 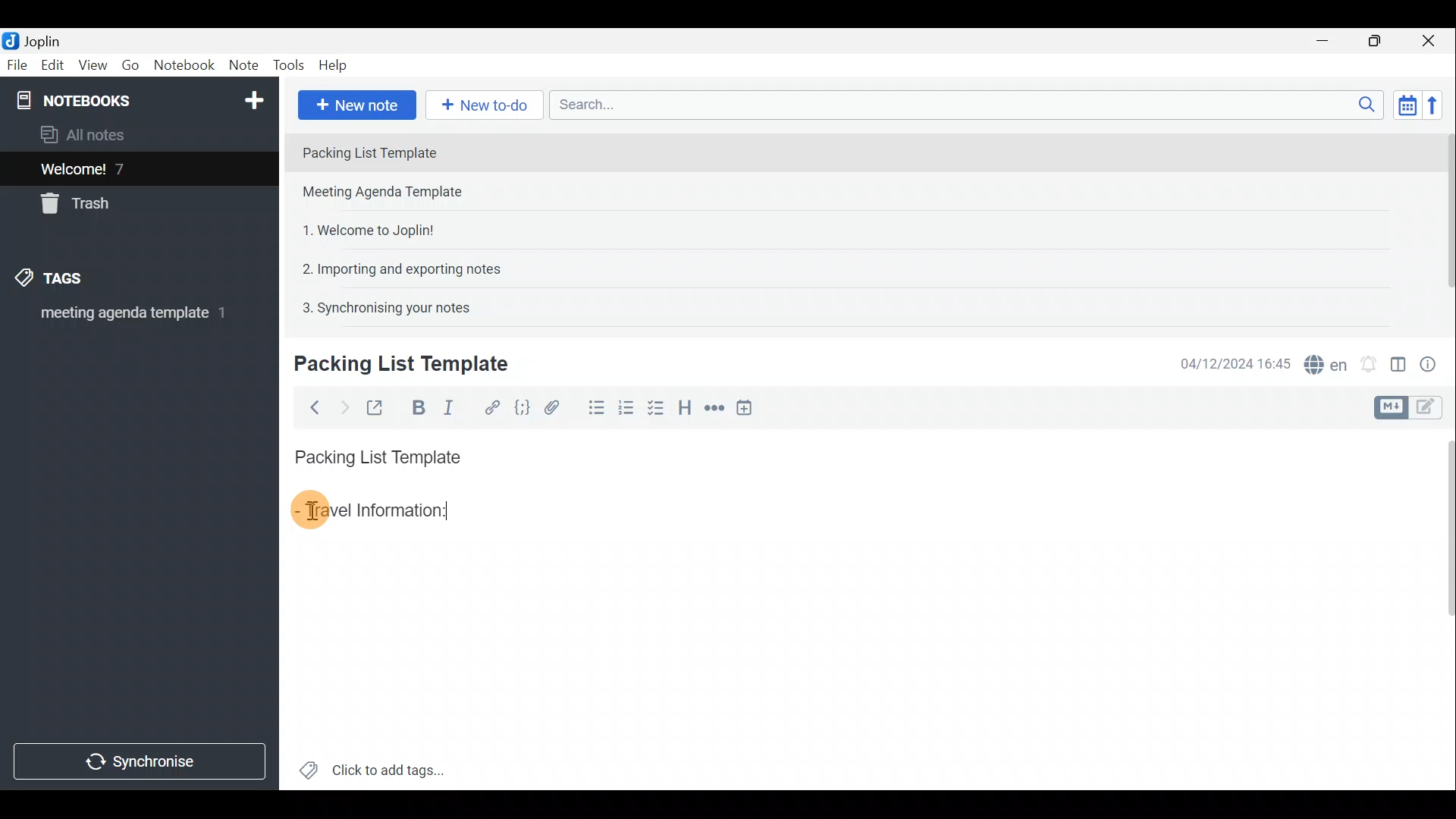 I want to click on Welcome, so click(x=116, y=168).